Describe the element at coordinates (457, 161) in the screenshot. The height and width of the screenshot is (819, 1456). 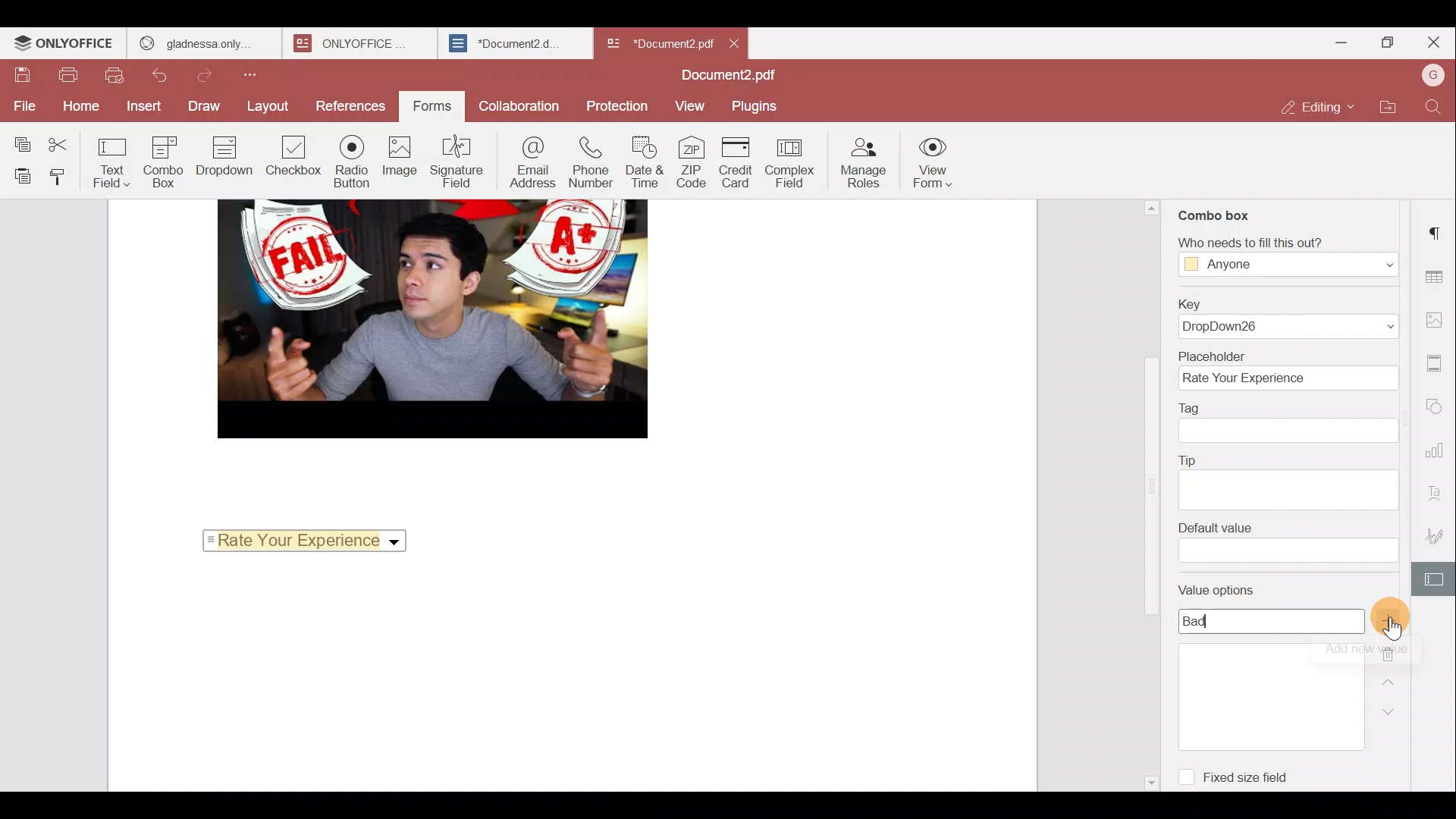
I see `Signature field` at that location.